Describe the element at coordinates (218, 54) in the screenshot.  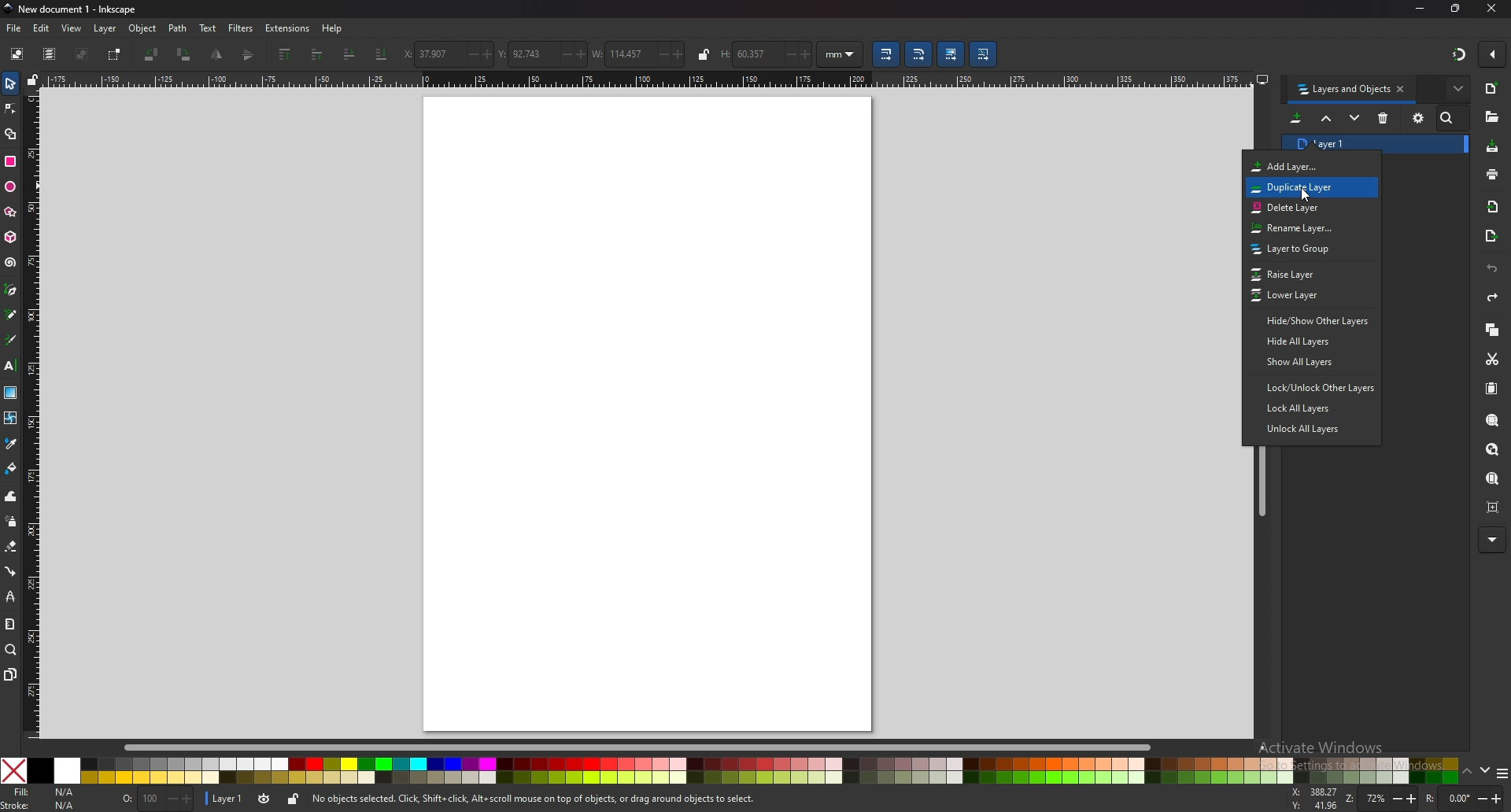
I see `flip vertically` at that location.